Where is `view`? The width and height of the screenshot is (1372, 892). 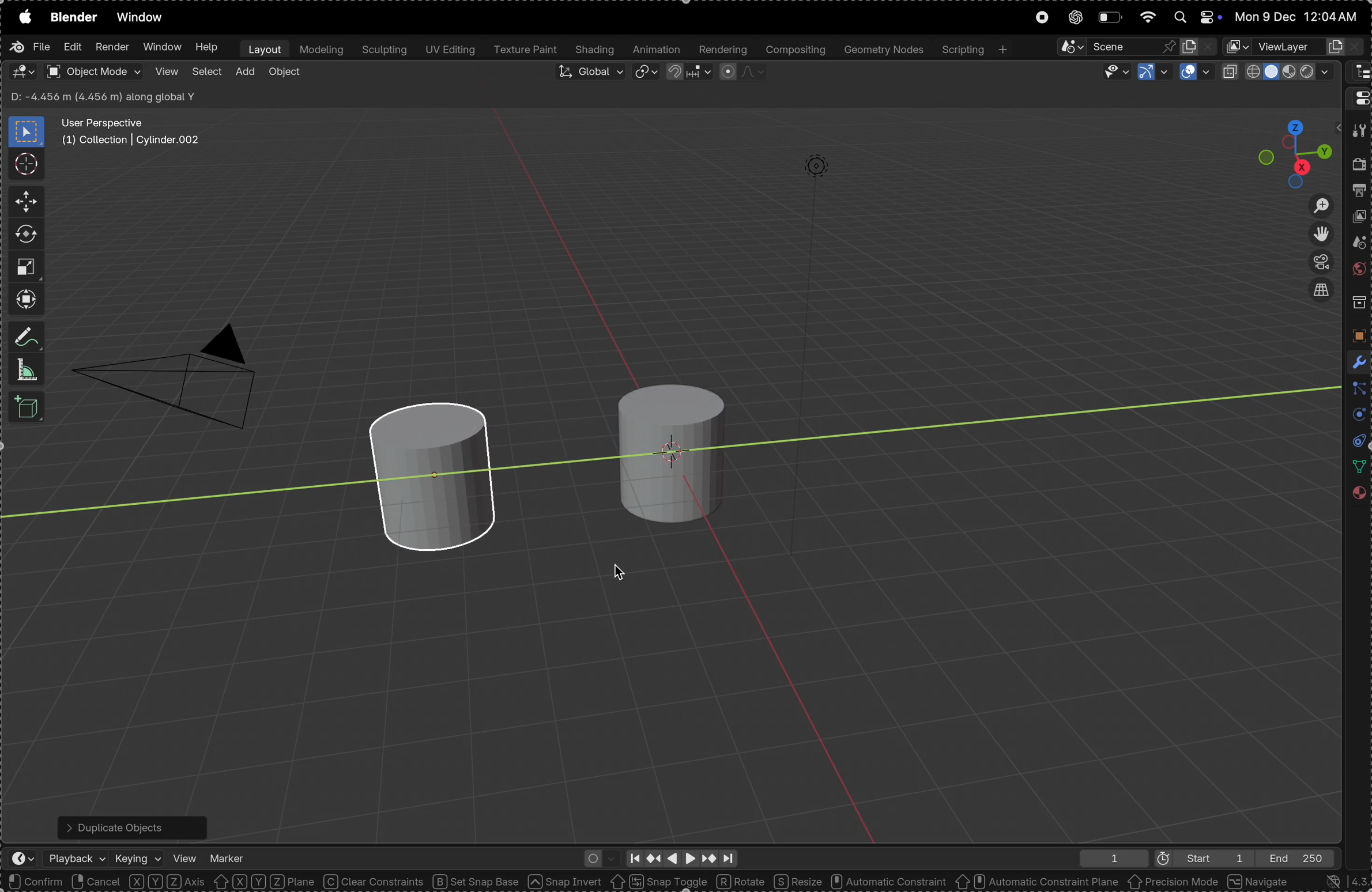 view is located at coordinates (184, 856).